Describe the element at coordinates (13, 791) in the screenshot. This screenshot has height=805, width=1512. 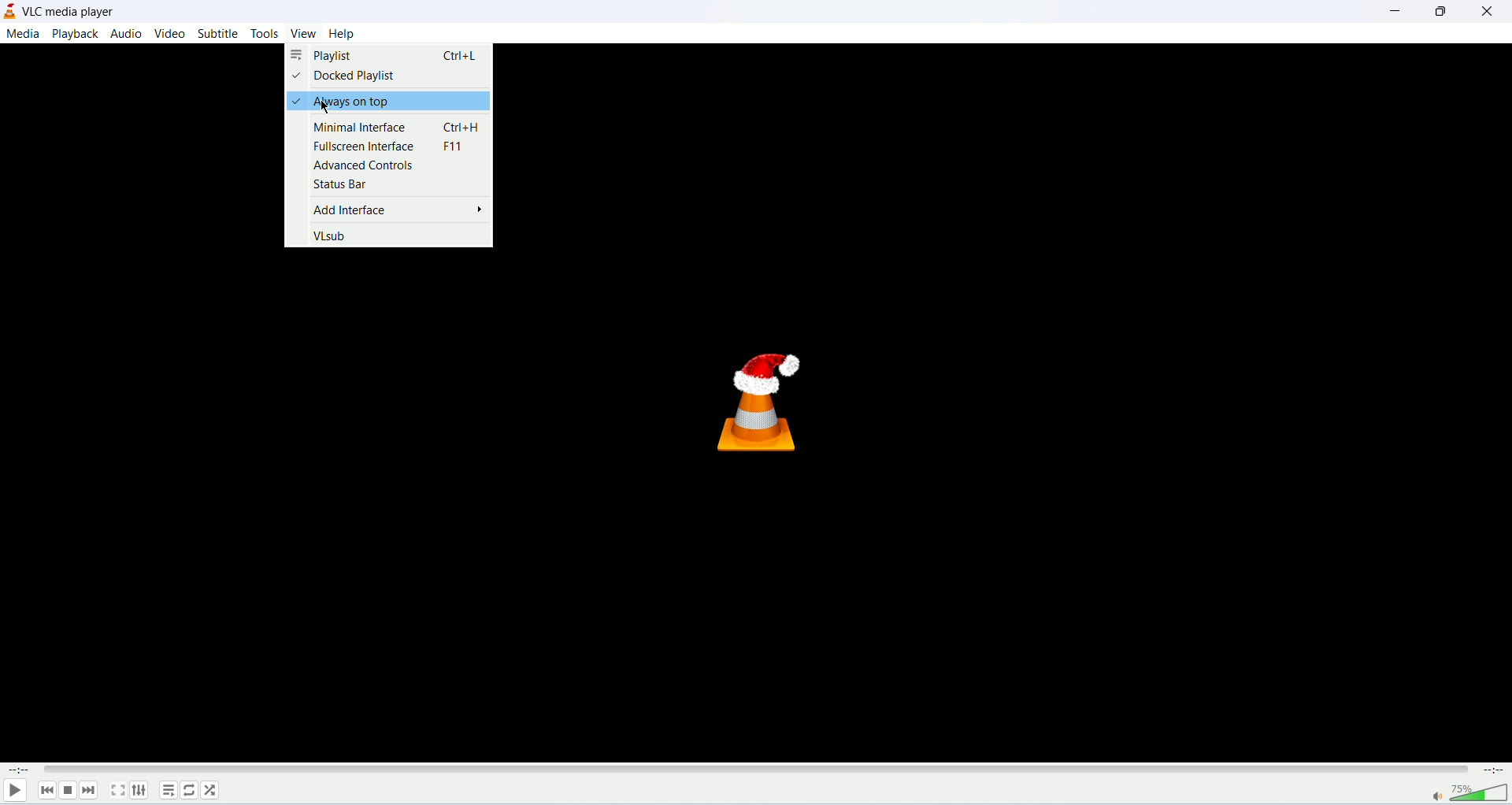
I see `play/pause` at that location.